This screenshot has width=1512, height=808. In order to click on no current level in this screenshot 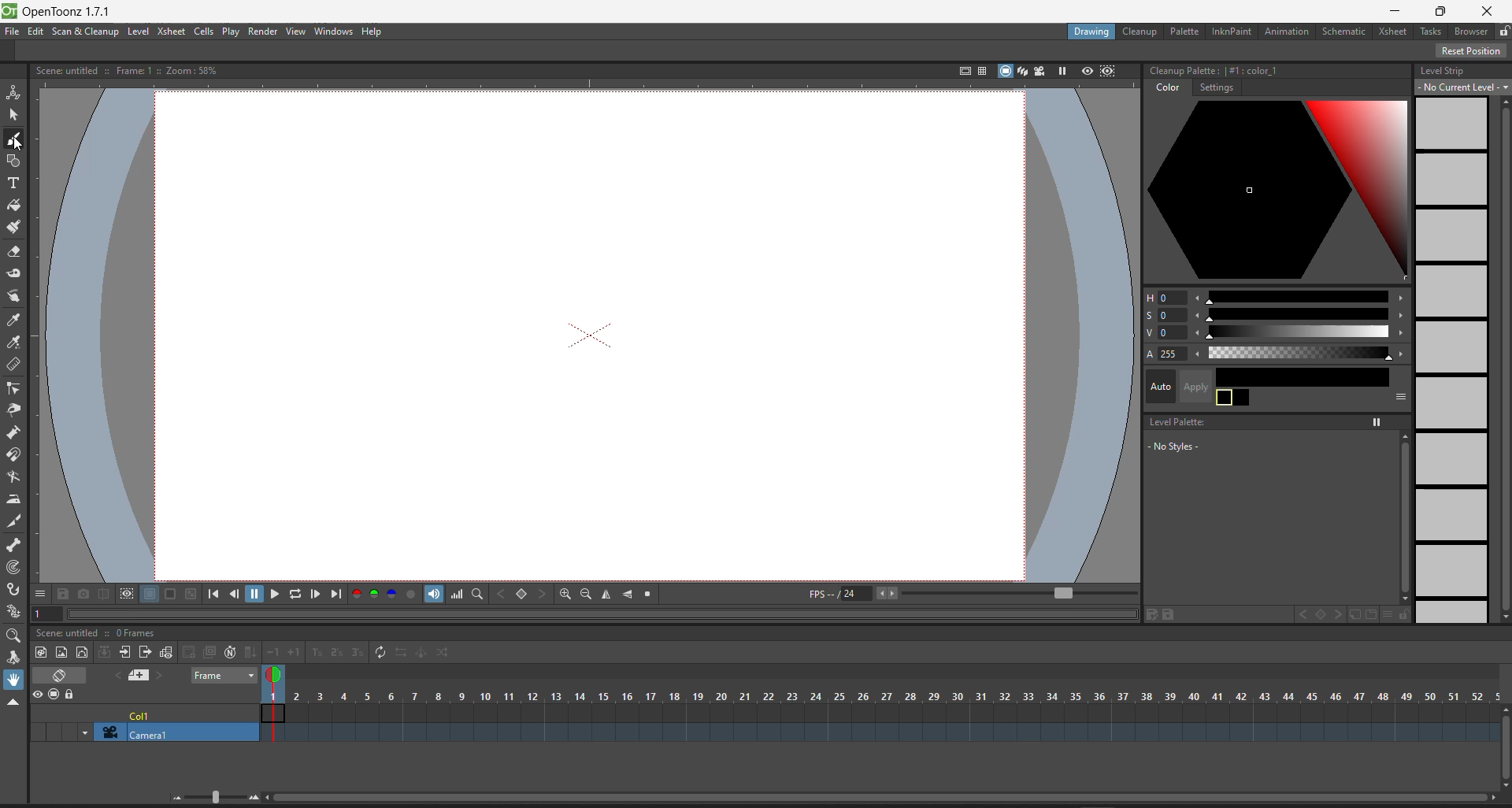, I will do `click(1462, 87)`.